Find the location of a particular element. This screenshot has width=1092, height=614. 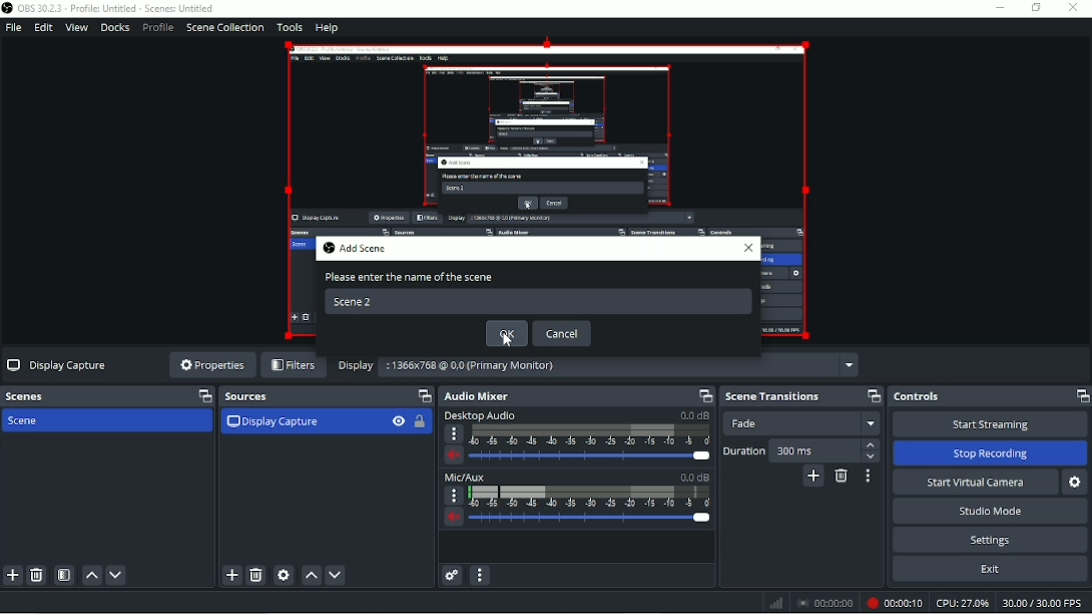

Studio mode is located at coordinates (990, 510).